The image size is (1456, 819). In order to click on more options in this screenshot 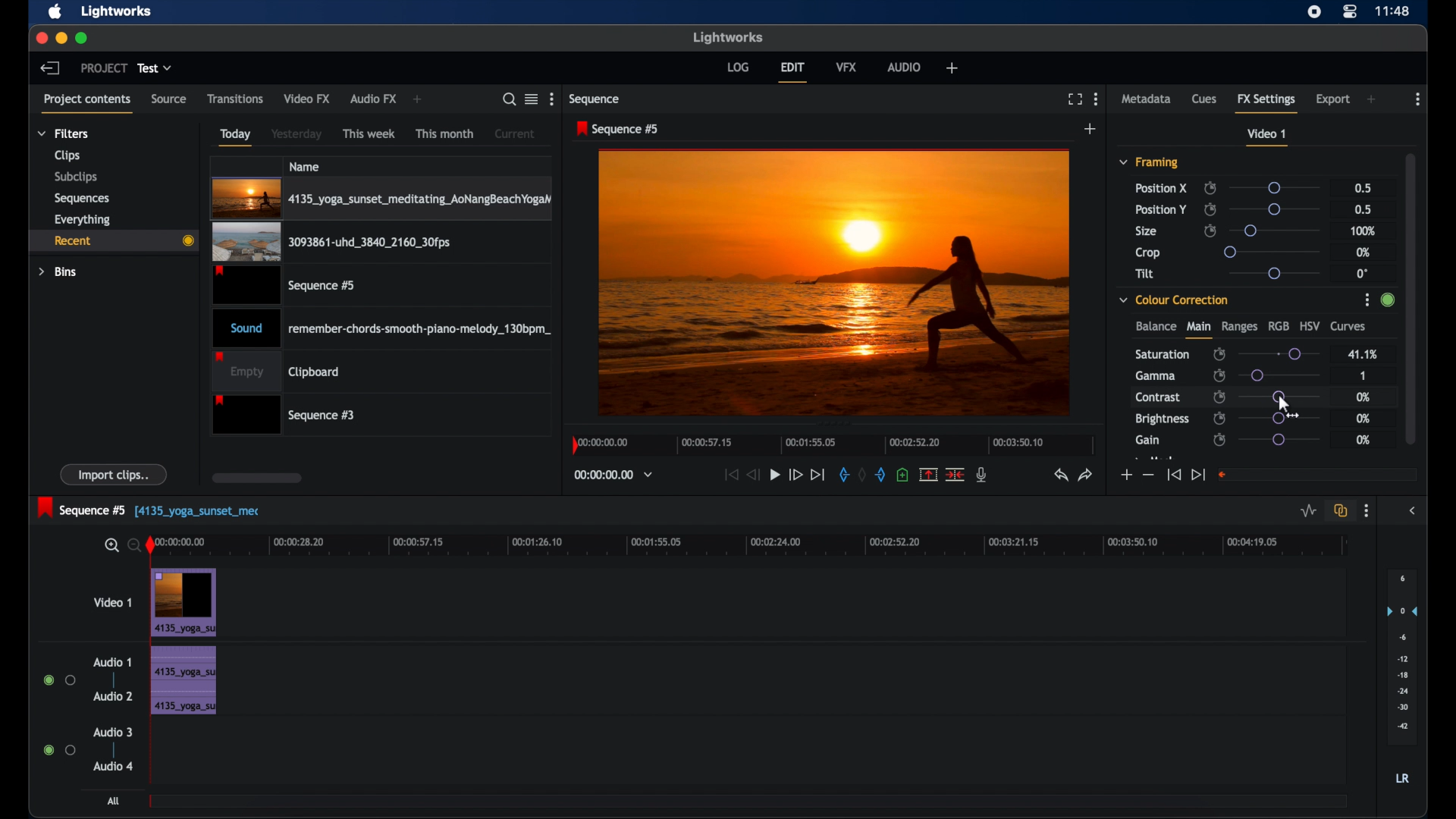, I will do `click(1418, 99)`.